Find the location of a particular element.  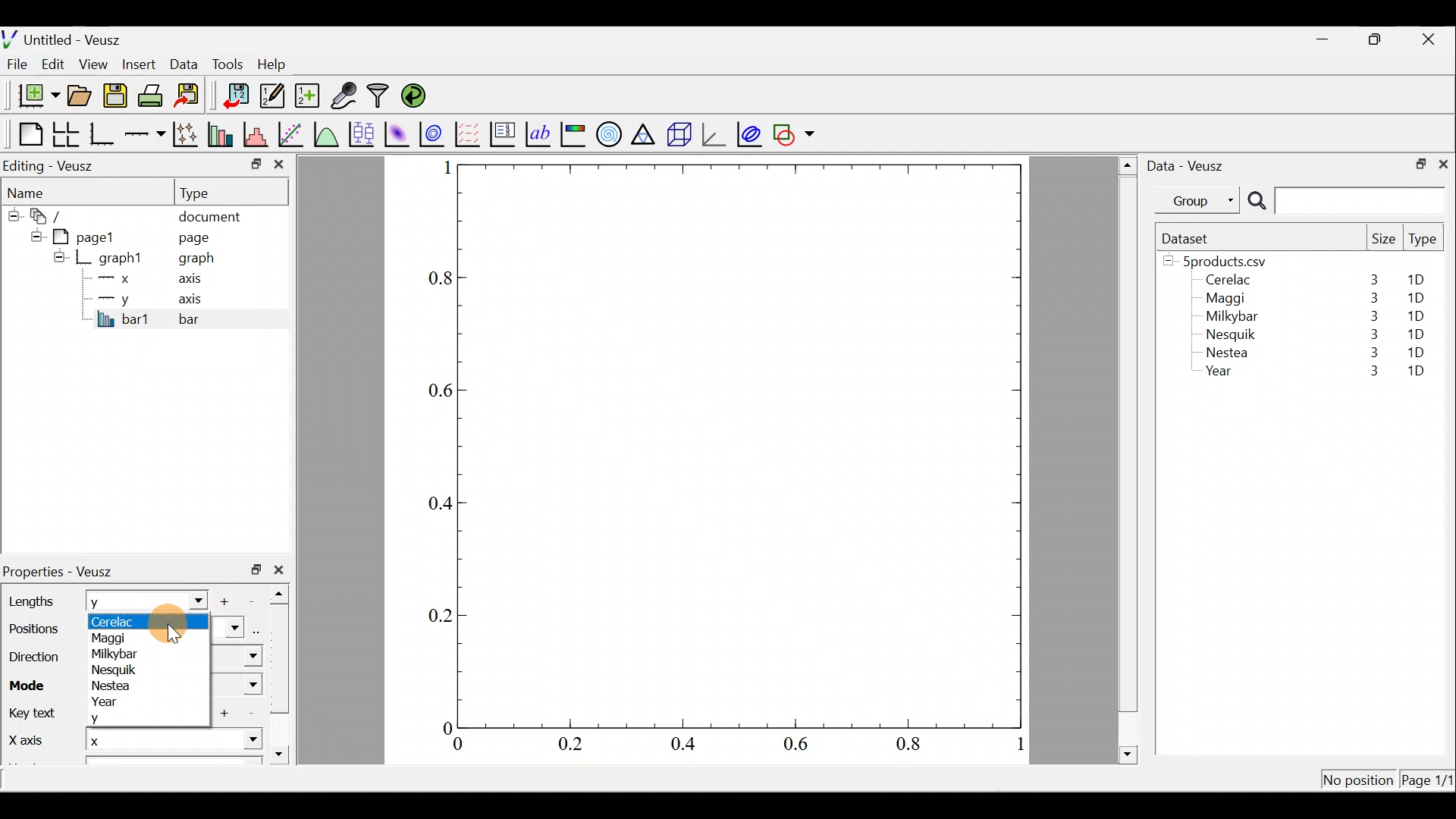

Fit a function to data is located at coordinates (292, 133).